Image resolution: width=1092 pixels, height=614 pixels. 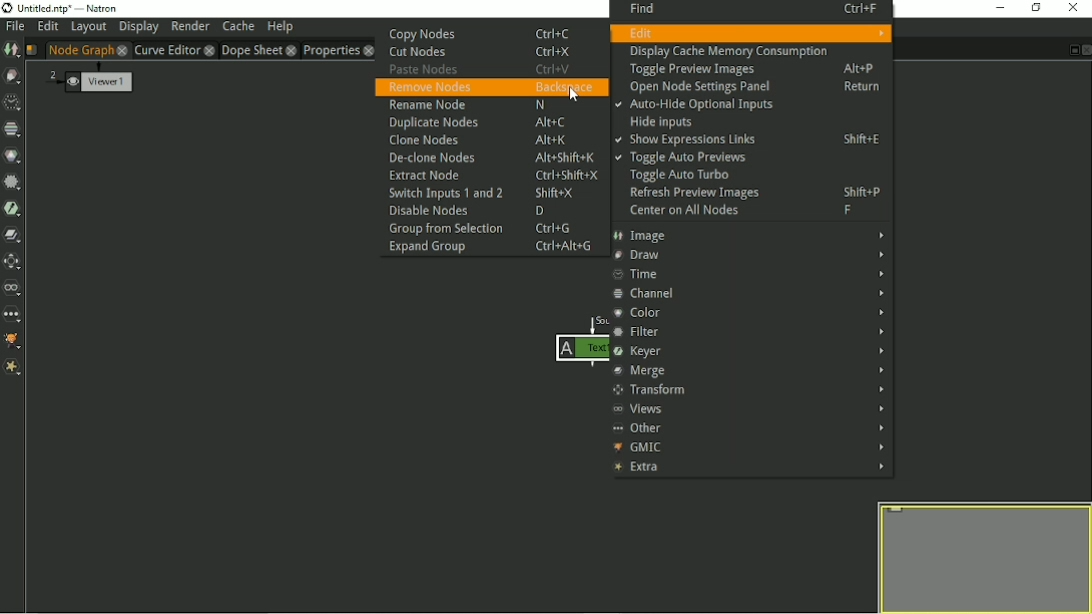 What do you see at coordinates (14, 76) in the screenshot?
I see `Draw` at bounding box center [14, 76].